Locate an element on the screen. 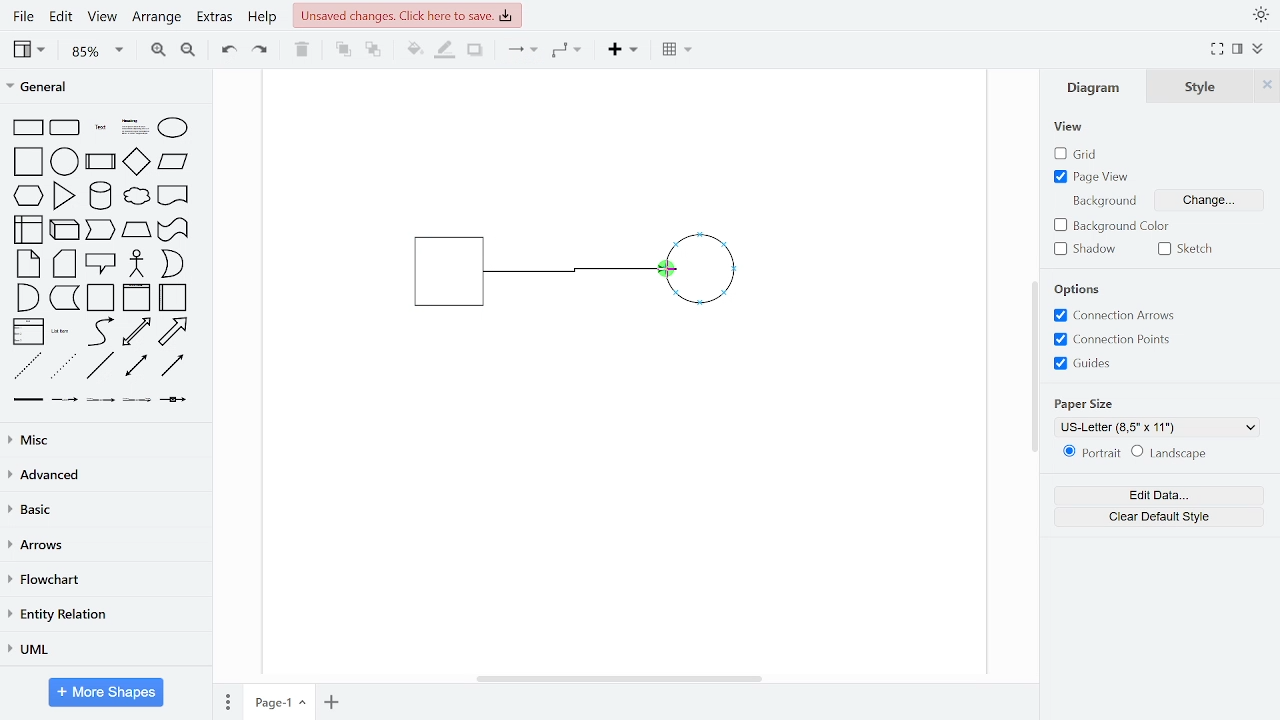  connector with symbol is located at coordinates (176, 398).